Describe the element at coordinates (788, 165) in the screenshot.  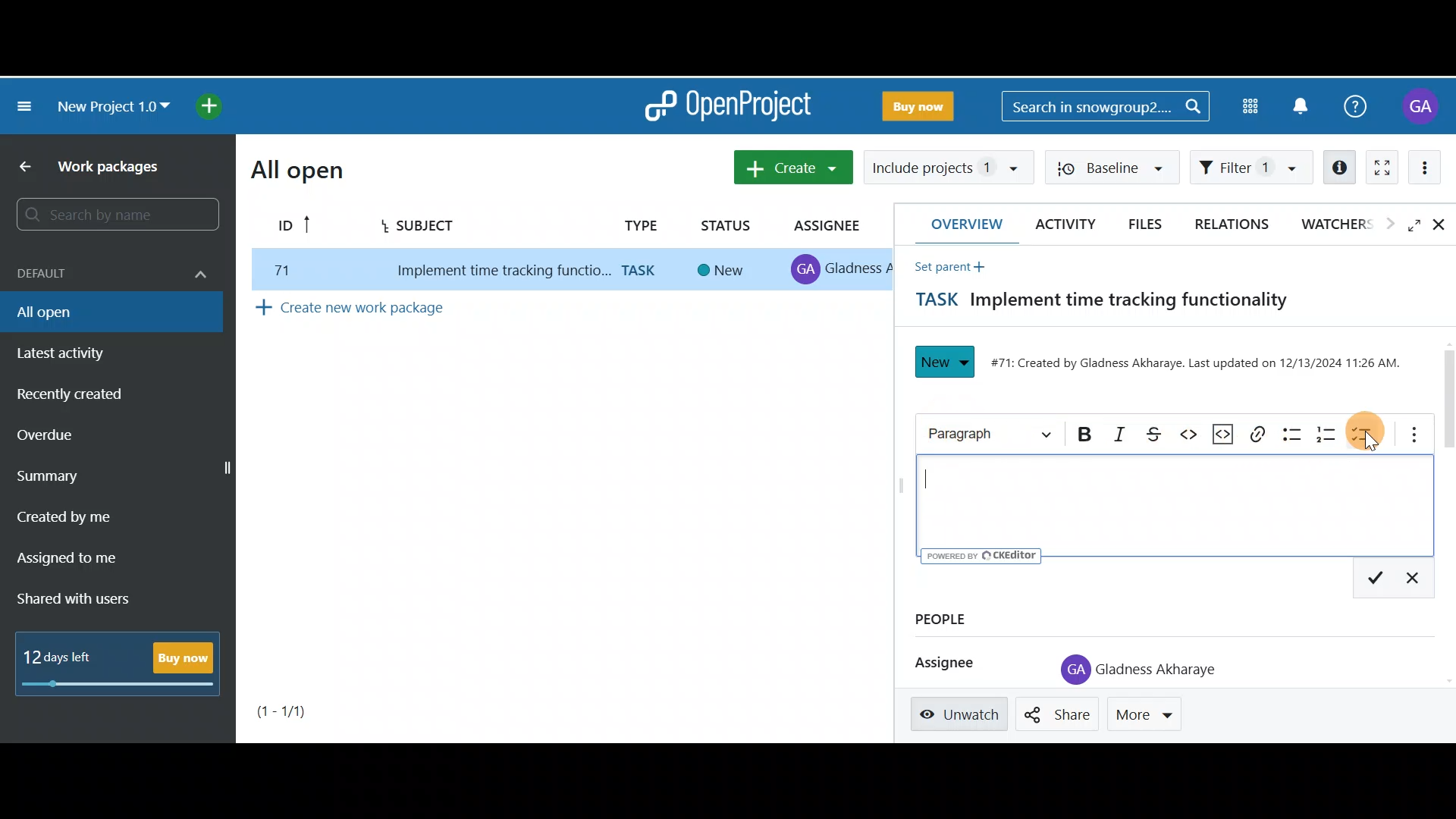
I see `Create` at that location.